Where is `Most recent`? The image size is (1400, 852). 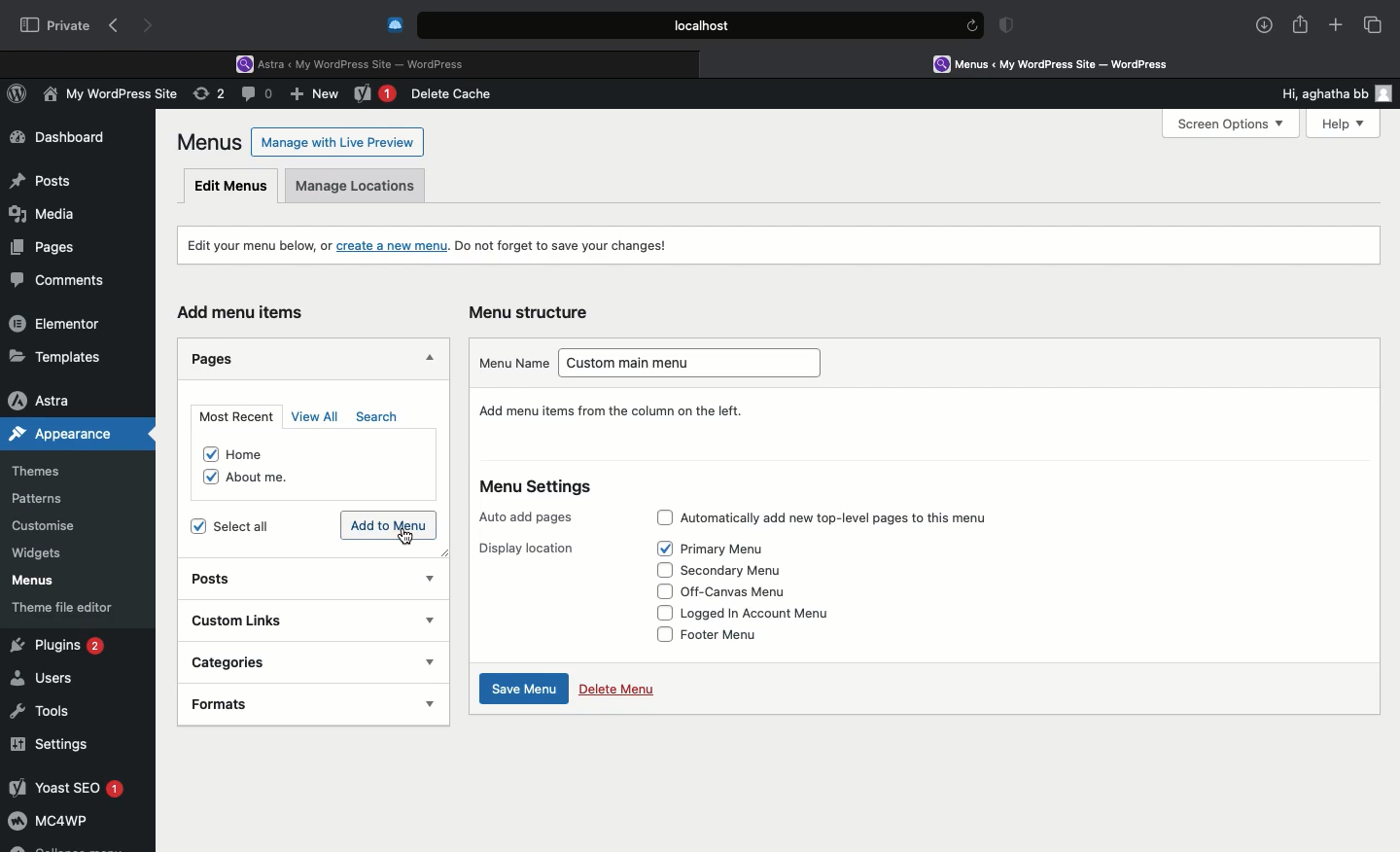 Most recent is located at coordinates (233, 416).